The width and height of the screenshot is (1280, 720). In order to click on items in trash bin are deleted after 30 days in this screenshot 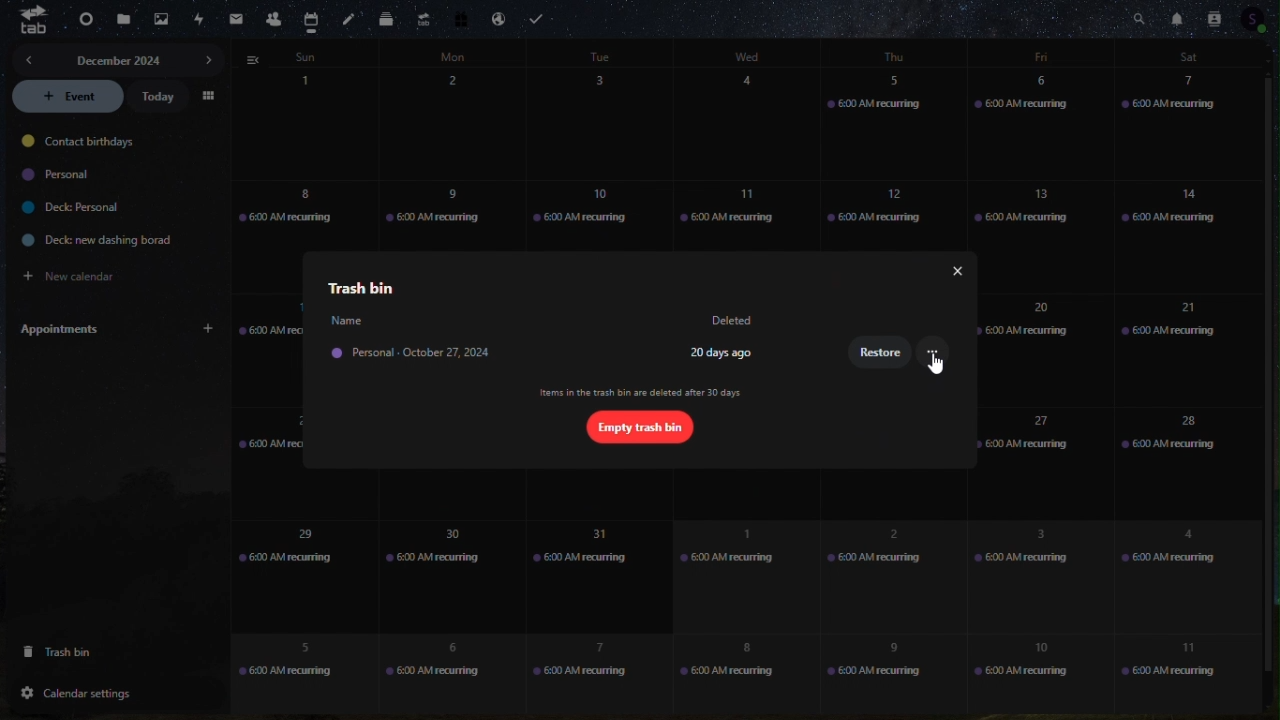, I will do `click(642, 393)`.